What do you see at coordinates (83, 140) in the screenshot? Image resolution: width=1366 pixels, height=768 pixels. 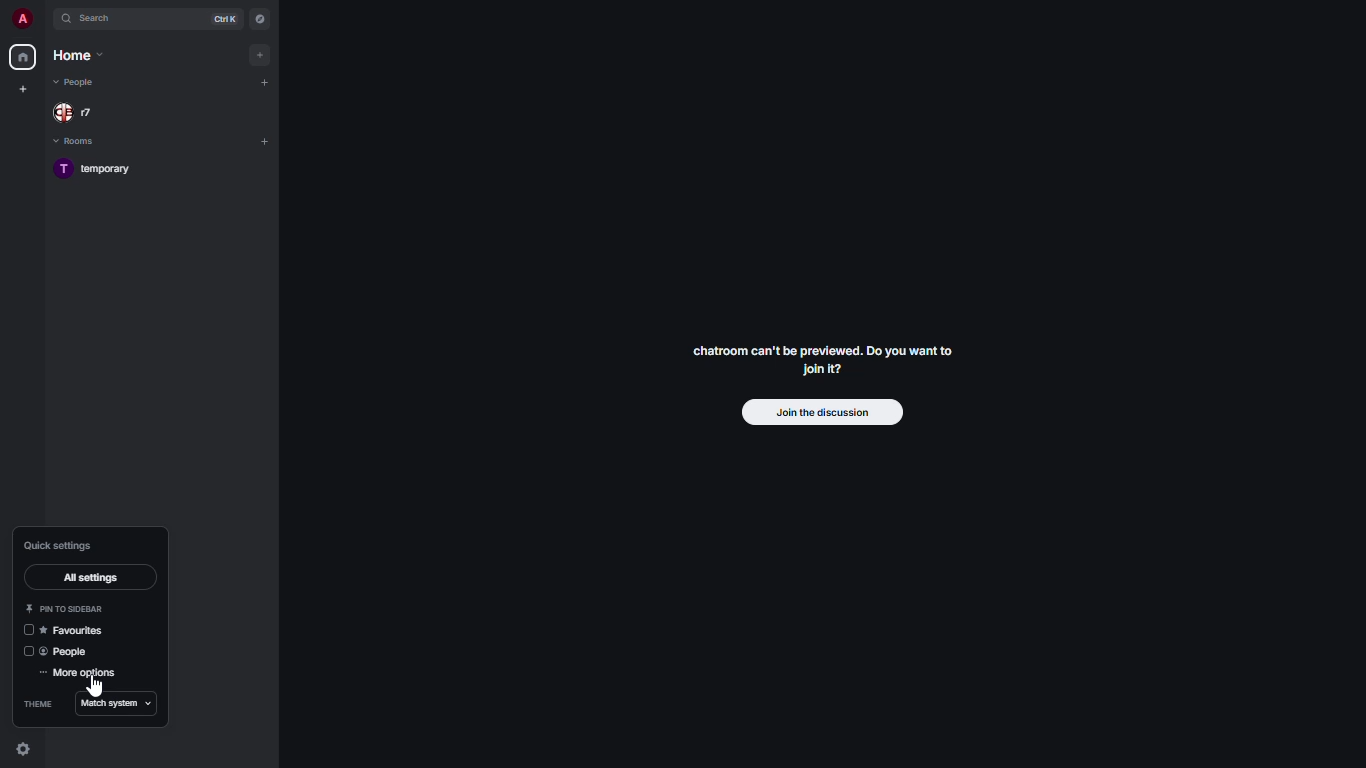 I see `rooms` at bounding box center [83, 140].